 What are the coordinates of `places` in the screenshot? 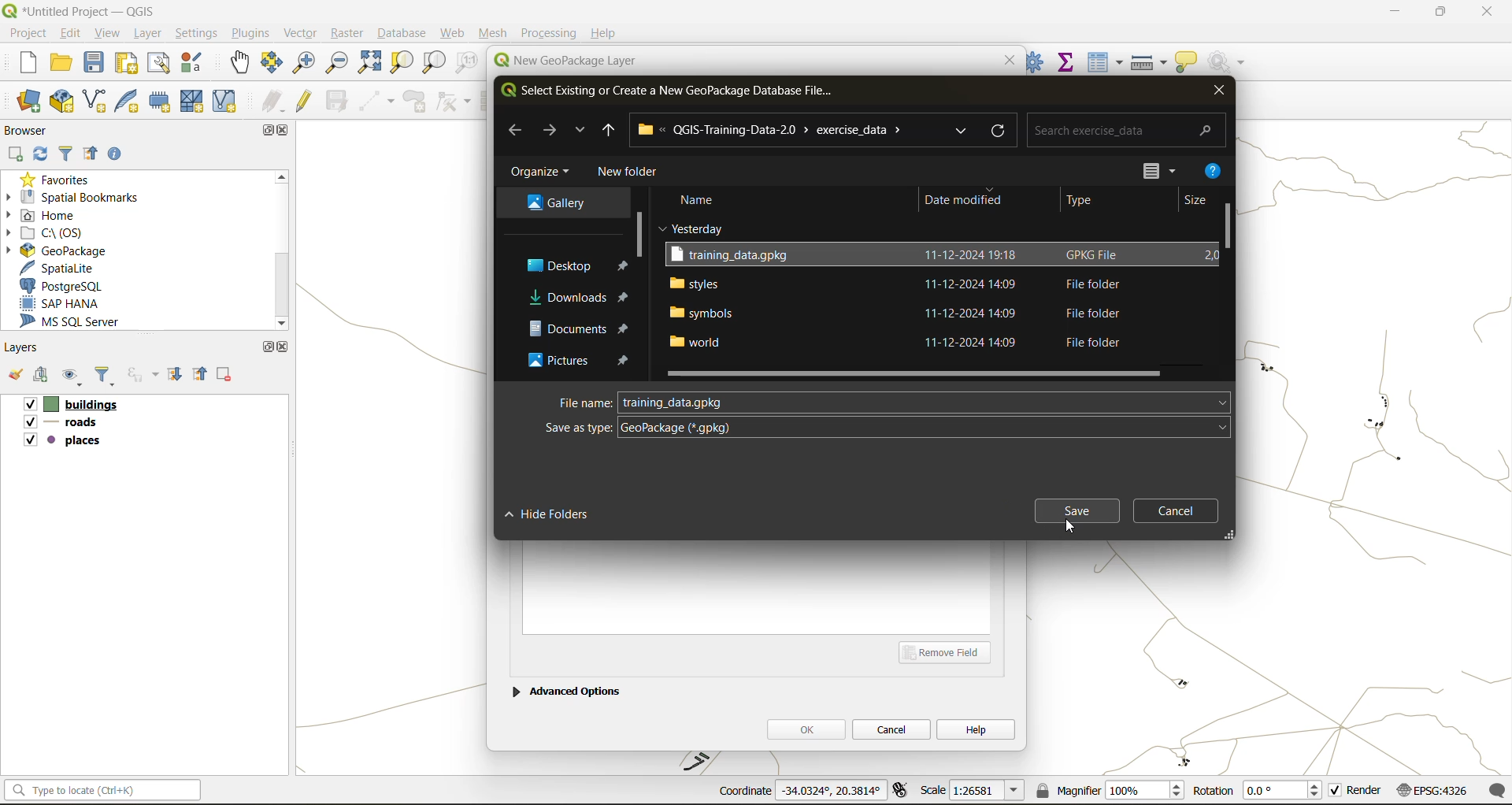 It's located at (63, 443).